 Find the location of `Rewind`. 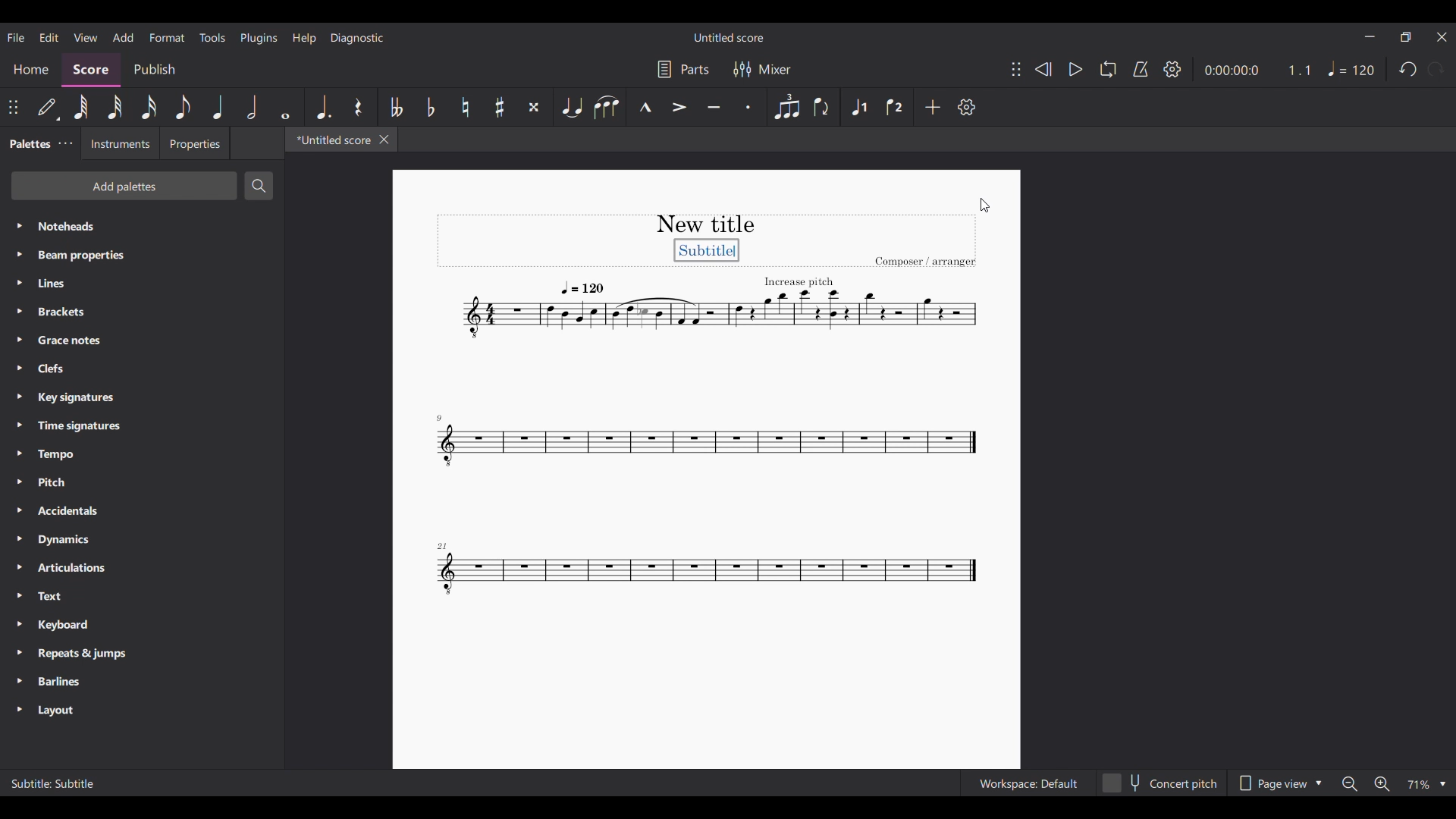

Rewind is located at coordinates (1043, 69).